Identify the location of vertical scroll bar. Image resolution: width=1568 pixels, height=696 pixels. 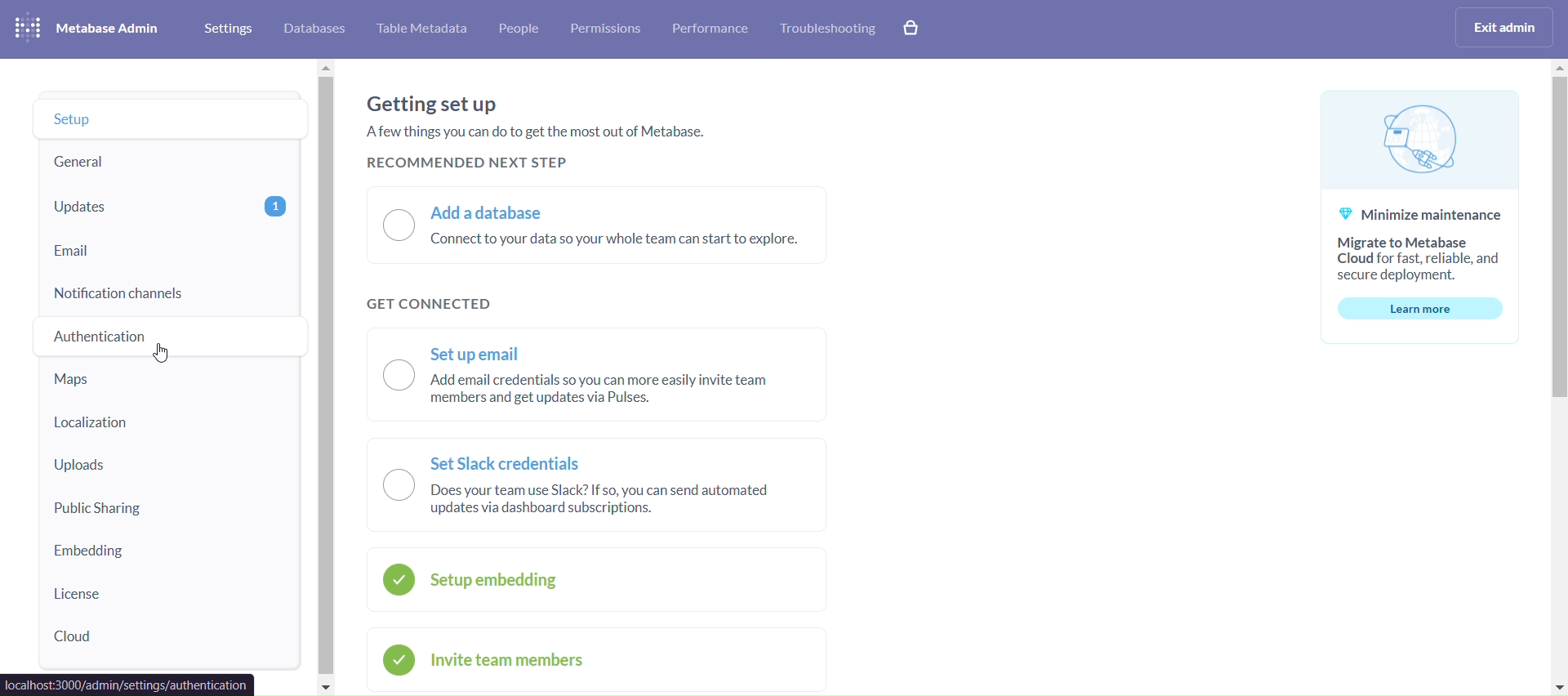
(327, 377).